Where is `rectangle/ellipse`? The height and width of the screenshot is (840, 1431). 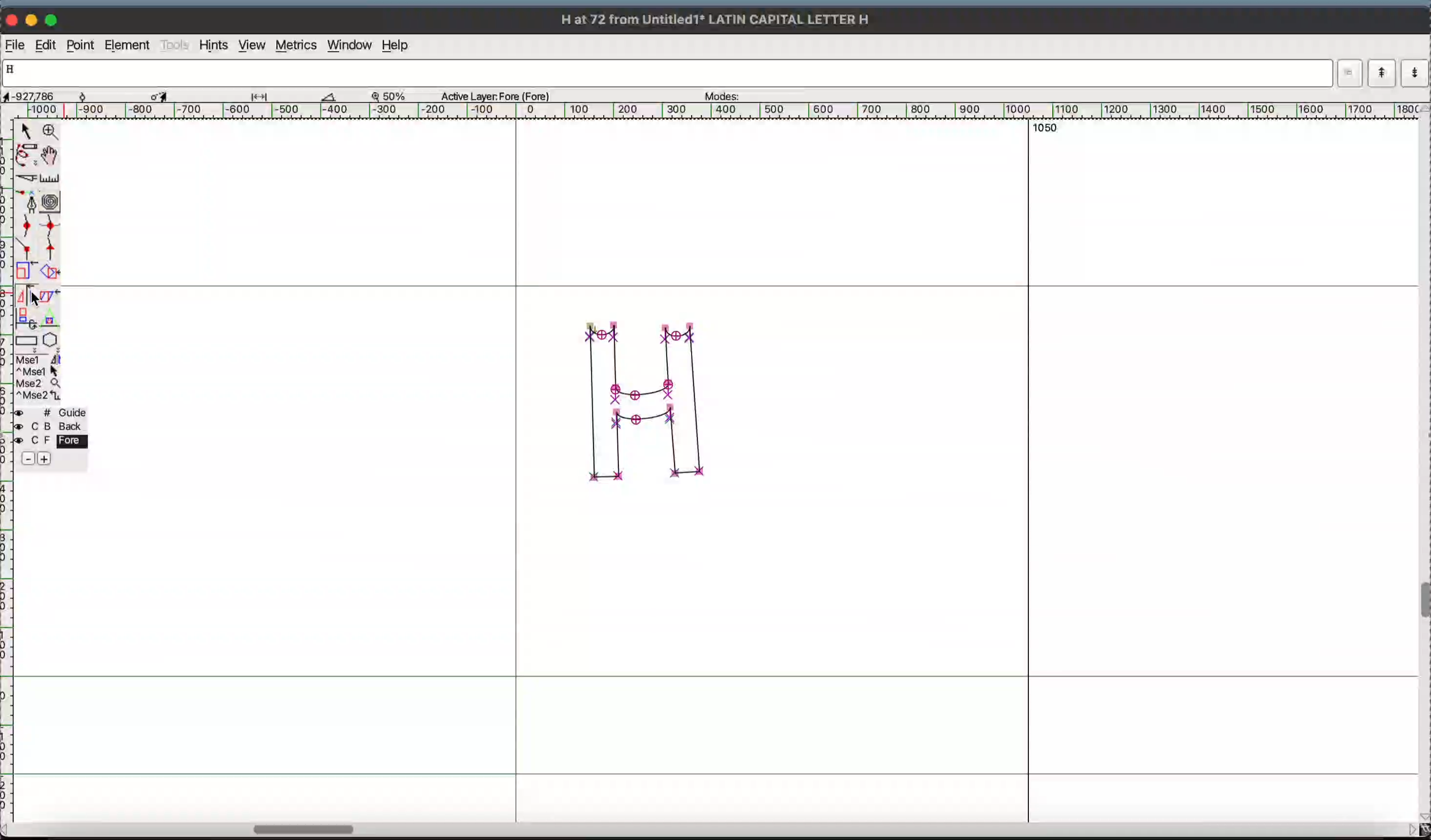 rectangle/ellipse is located at coordinates (27, 341).